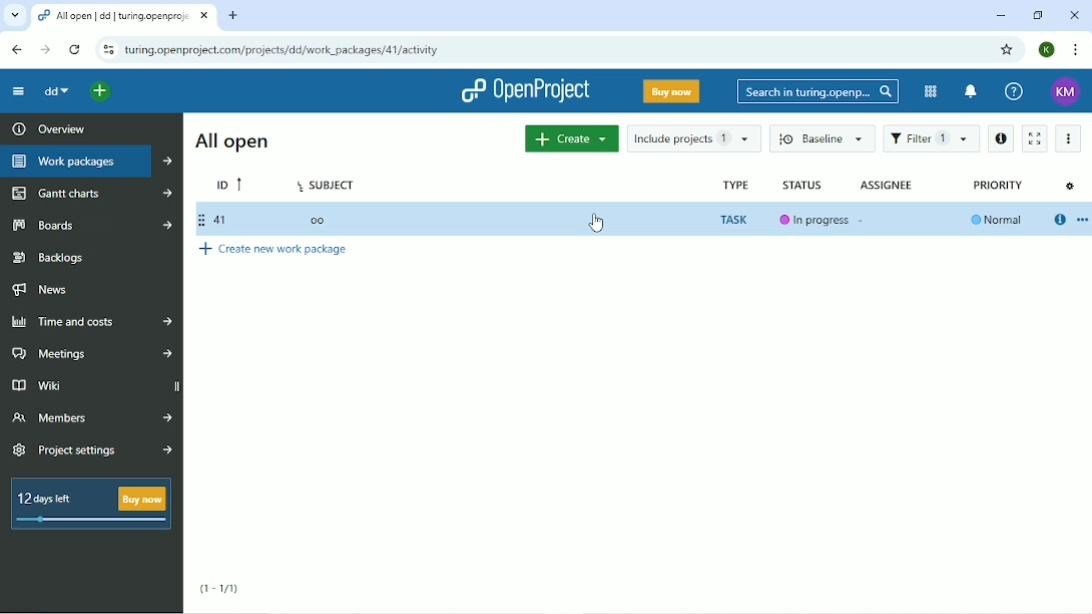 The width and height of the screenshot is (1092, 614). I want to click on Help, so click(1014, 90).